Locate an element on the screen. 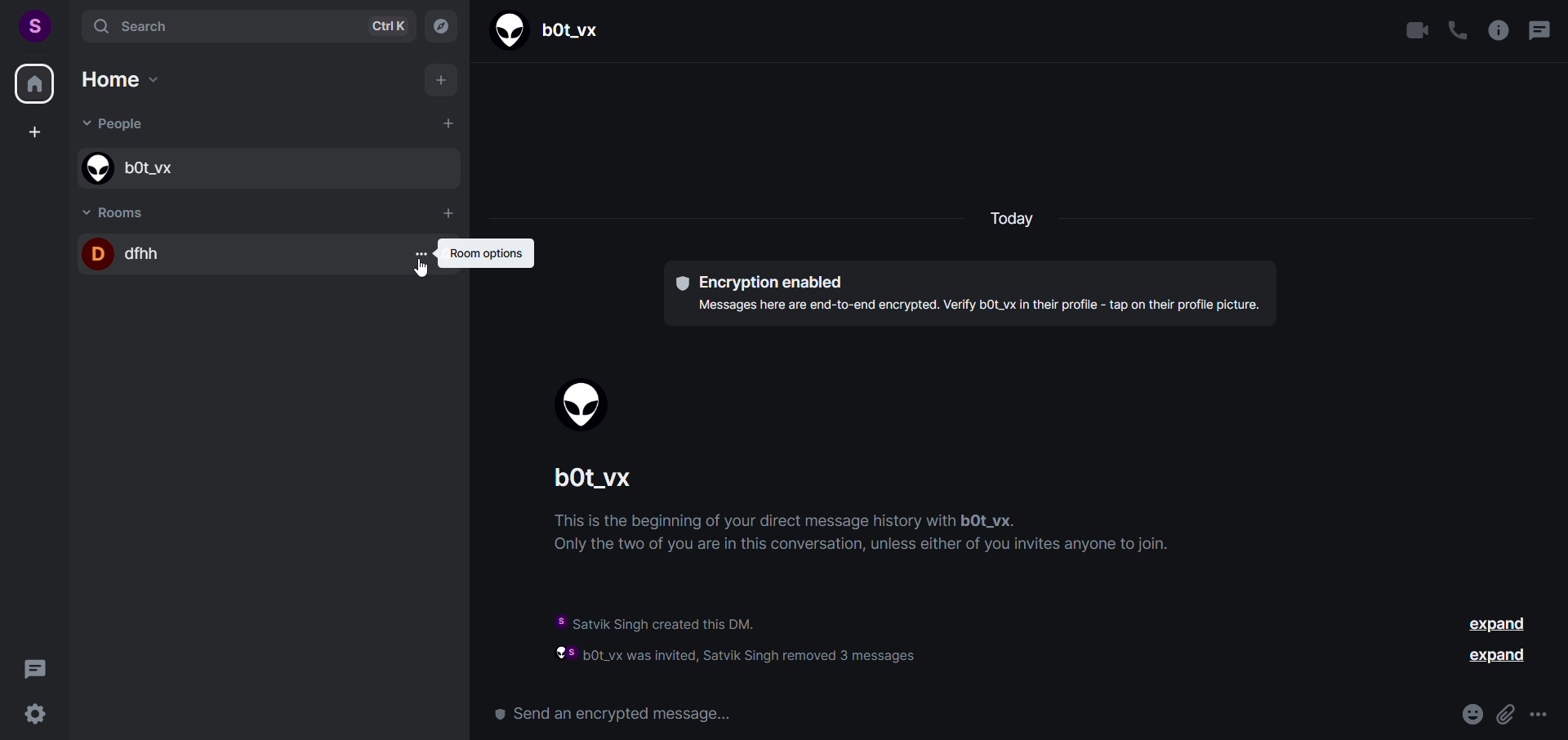  add people is located at coordinates (446, 123).